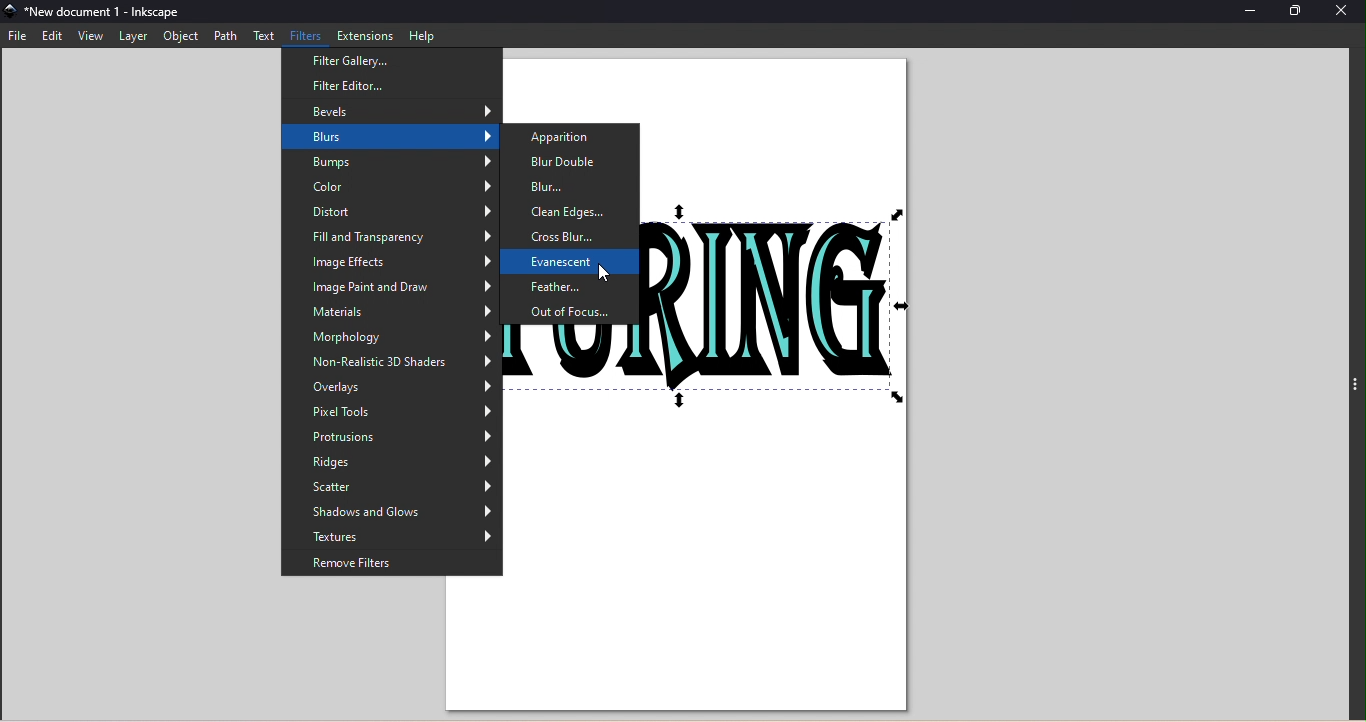  What do you see at coordinates (392, 561) in the screenshot?
I see `Remove filters` at bounding box center [392, 561].